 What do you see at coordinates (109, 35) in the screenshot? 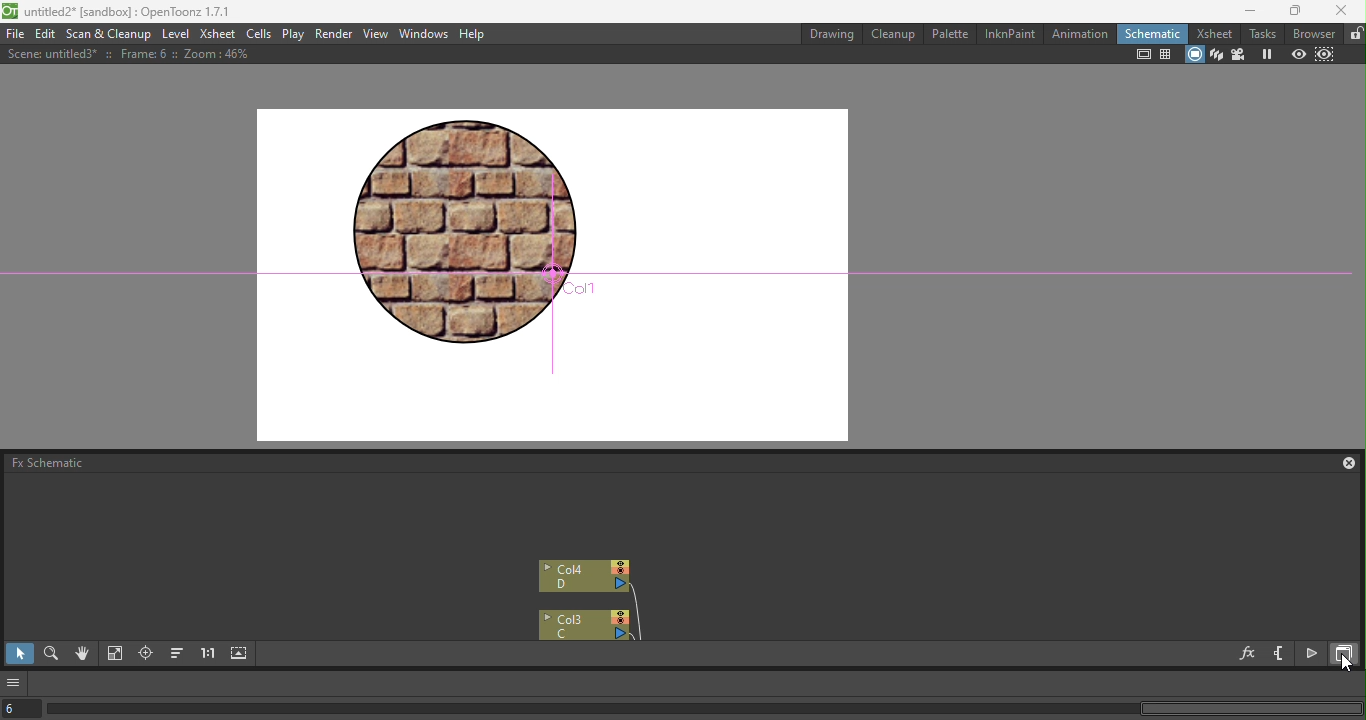
I see `Scan & Cleanup` at bounding box center [109, 35].